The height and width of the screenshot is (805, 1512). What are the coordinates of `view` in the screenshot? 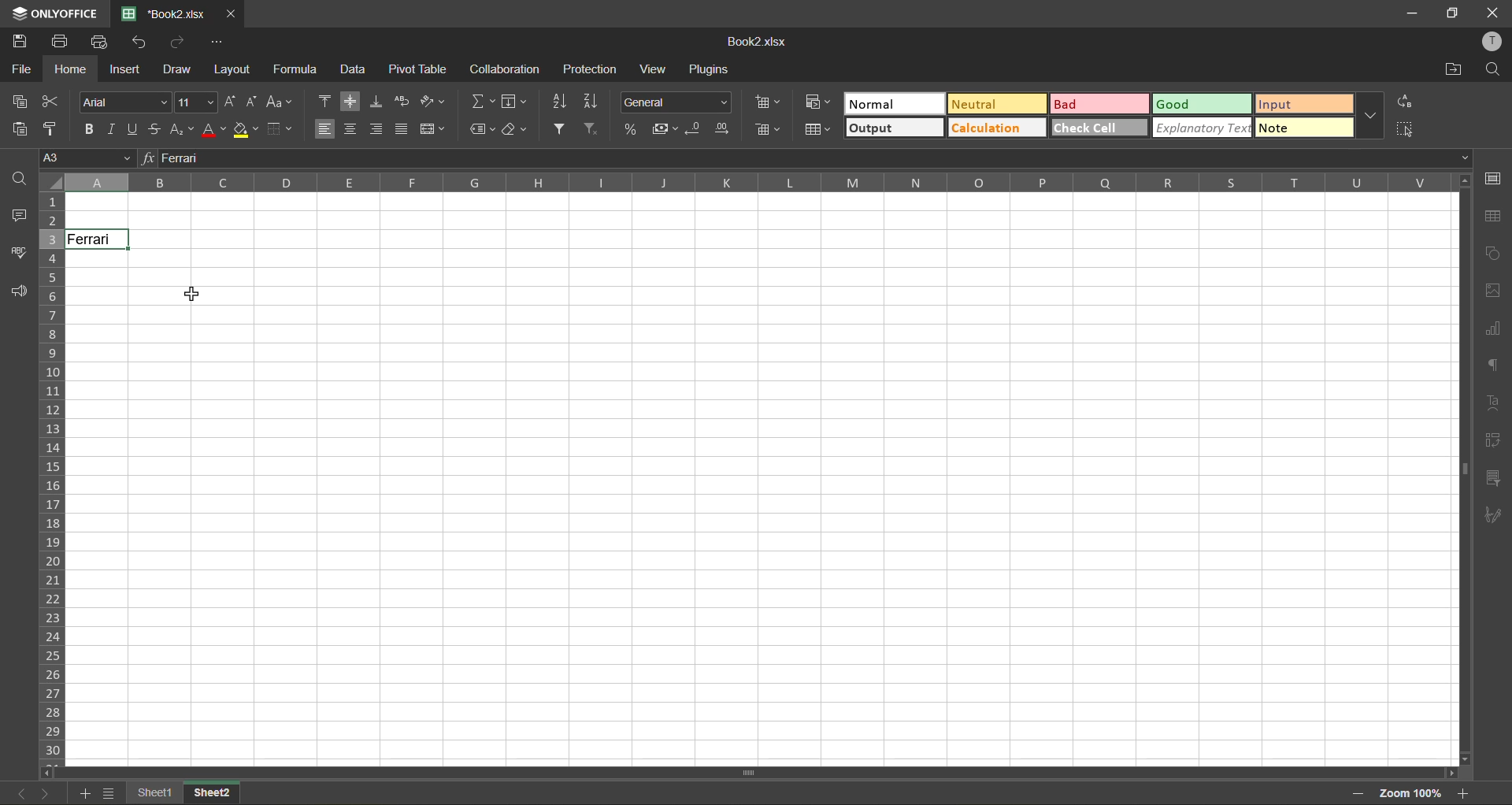 It's located at (656, 68).